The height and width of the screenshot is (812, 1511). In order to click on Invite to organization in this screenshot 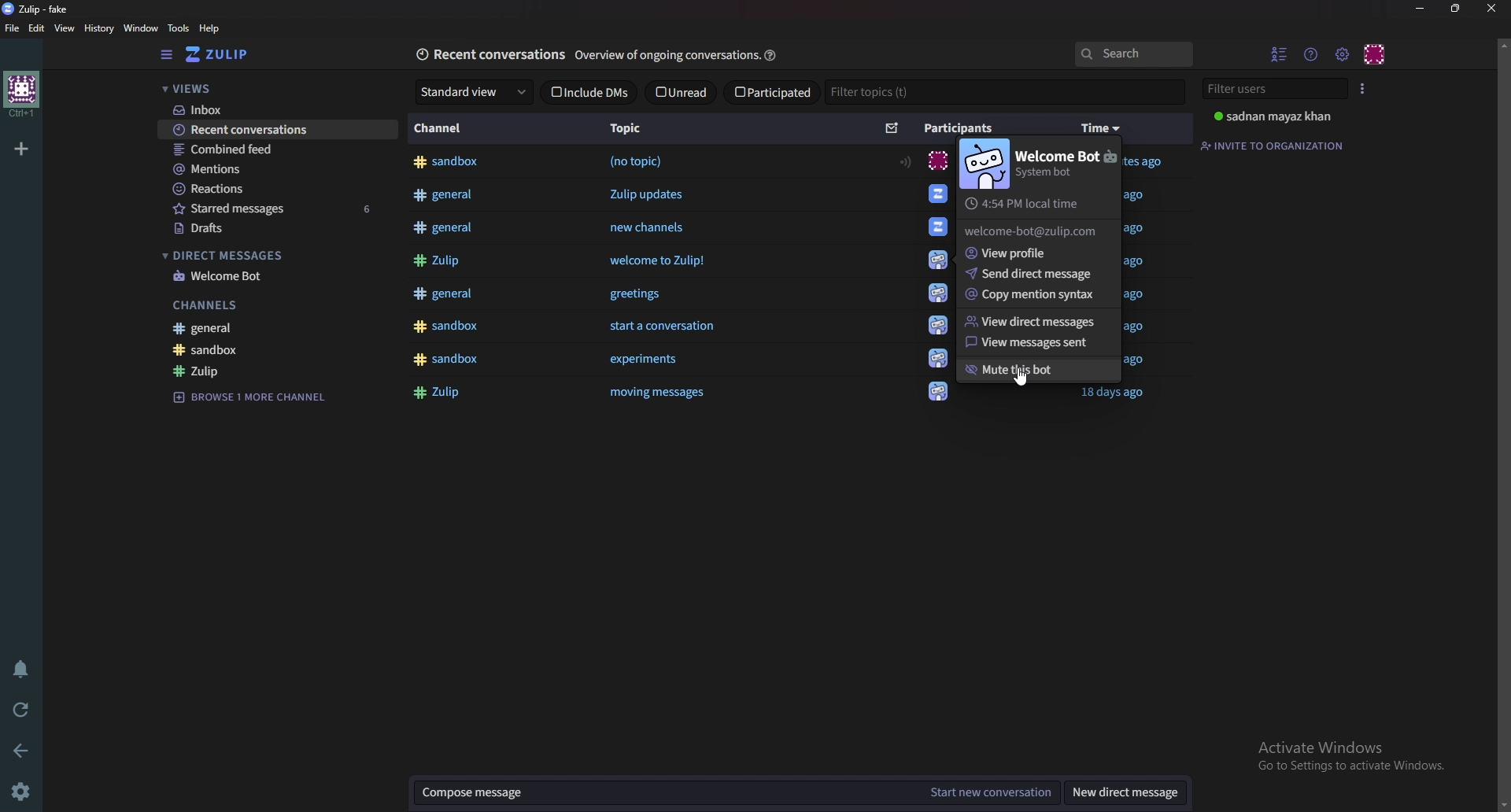, I will do `click(1276, 144)`.